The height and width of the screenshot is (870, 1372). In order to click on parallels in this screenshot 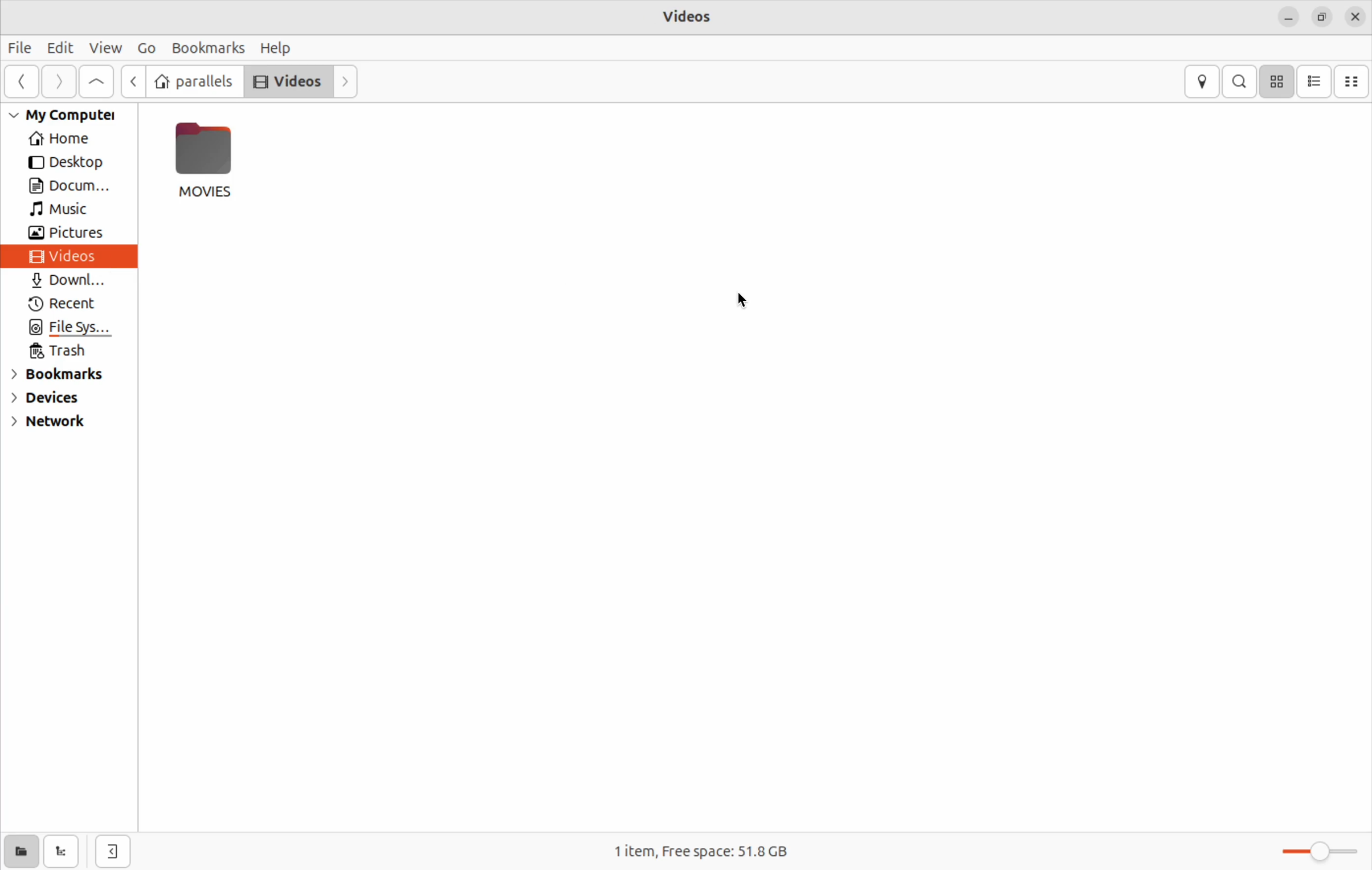, I will do `click(195, 80)`.